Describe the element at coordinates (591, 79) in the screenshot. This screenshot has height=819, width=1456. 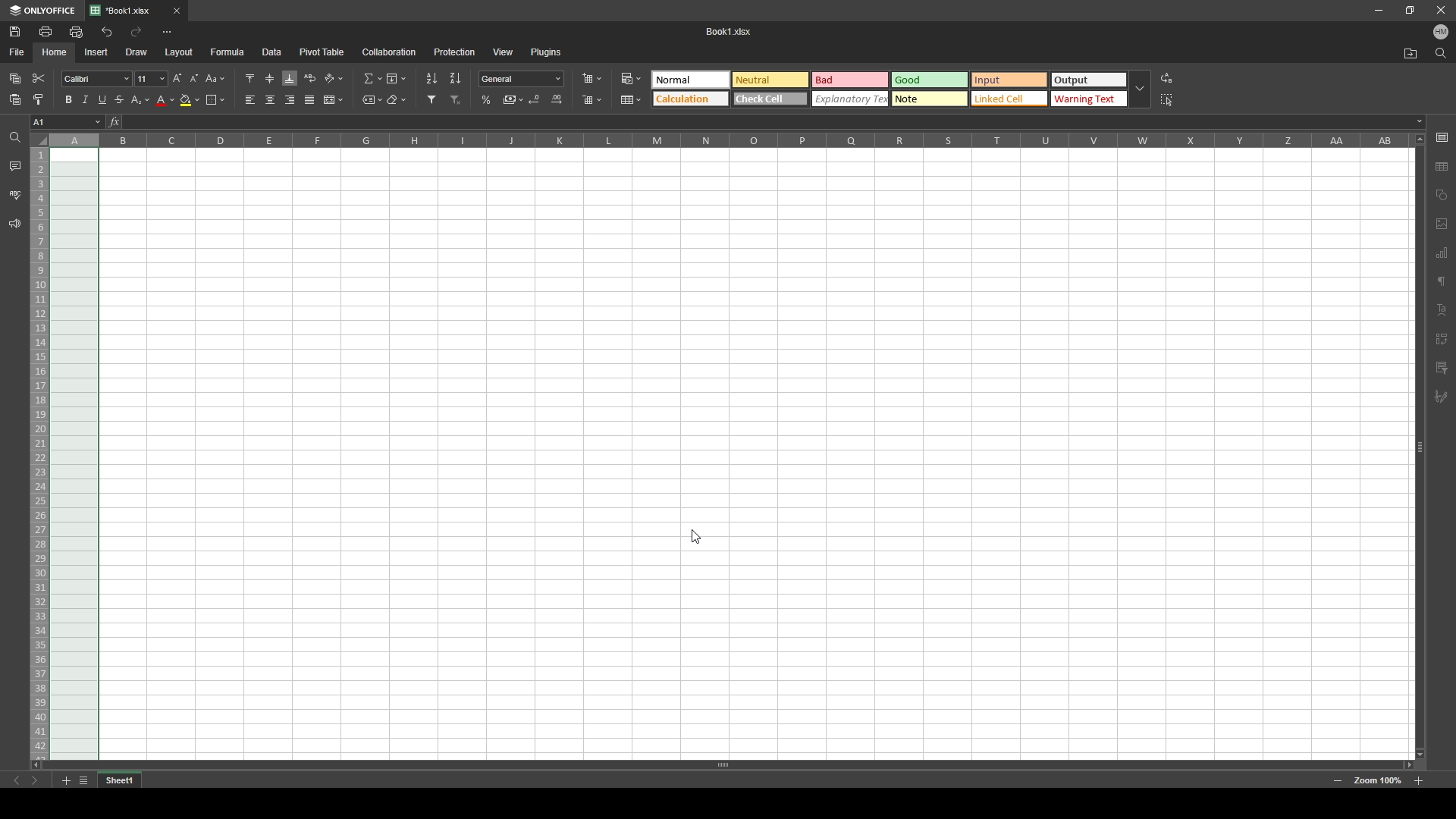
I see `insert cells` at that location.